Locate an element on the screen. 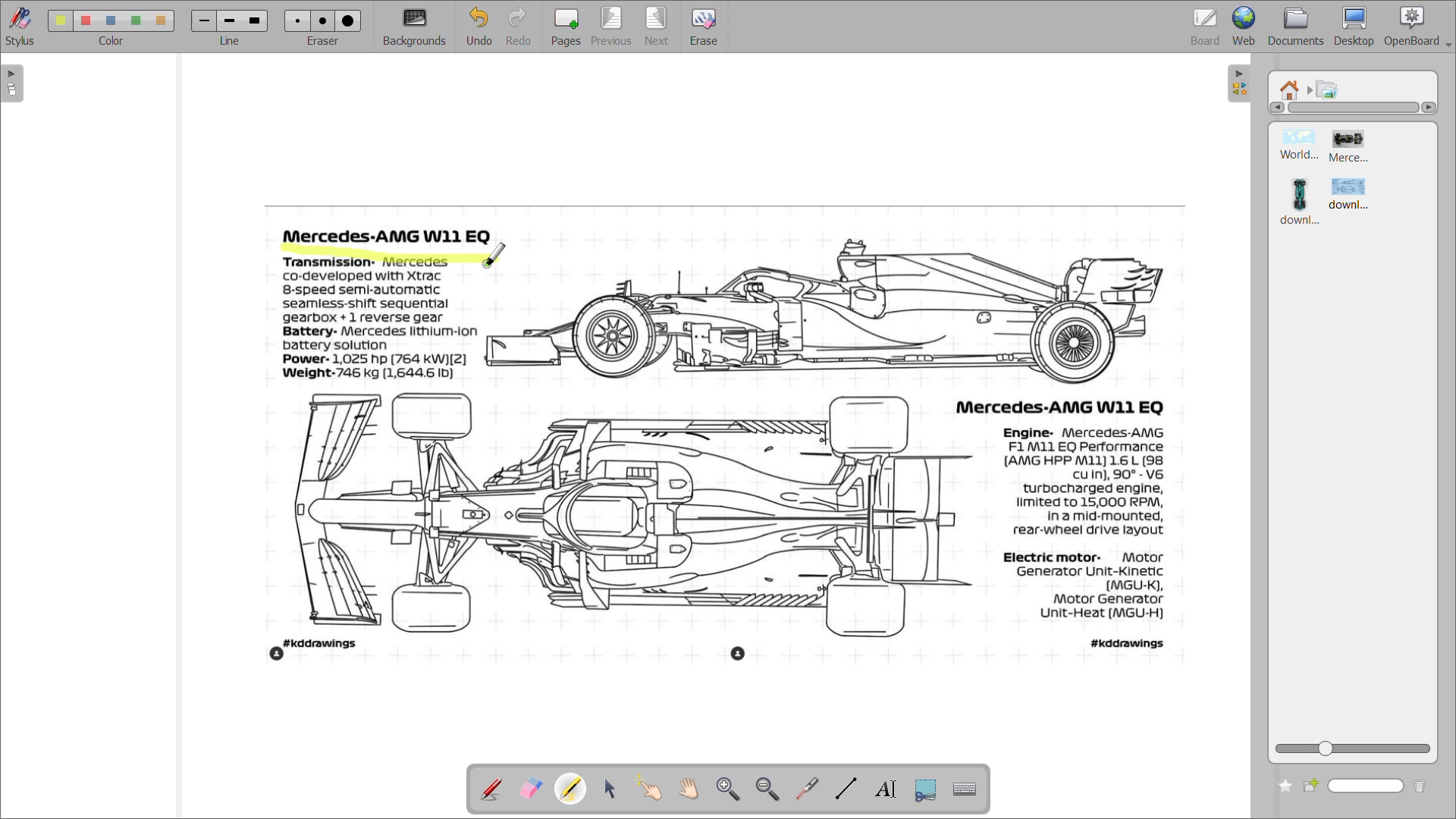 The height and width of the screenshot is (819, 1456). interact with items is located at coordinates (654, 789).